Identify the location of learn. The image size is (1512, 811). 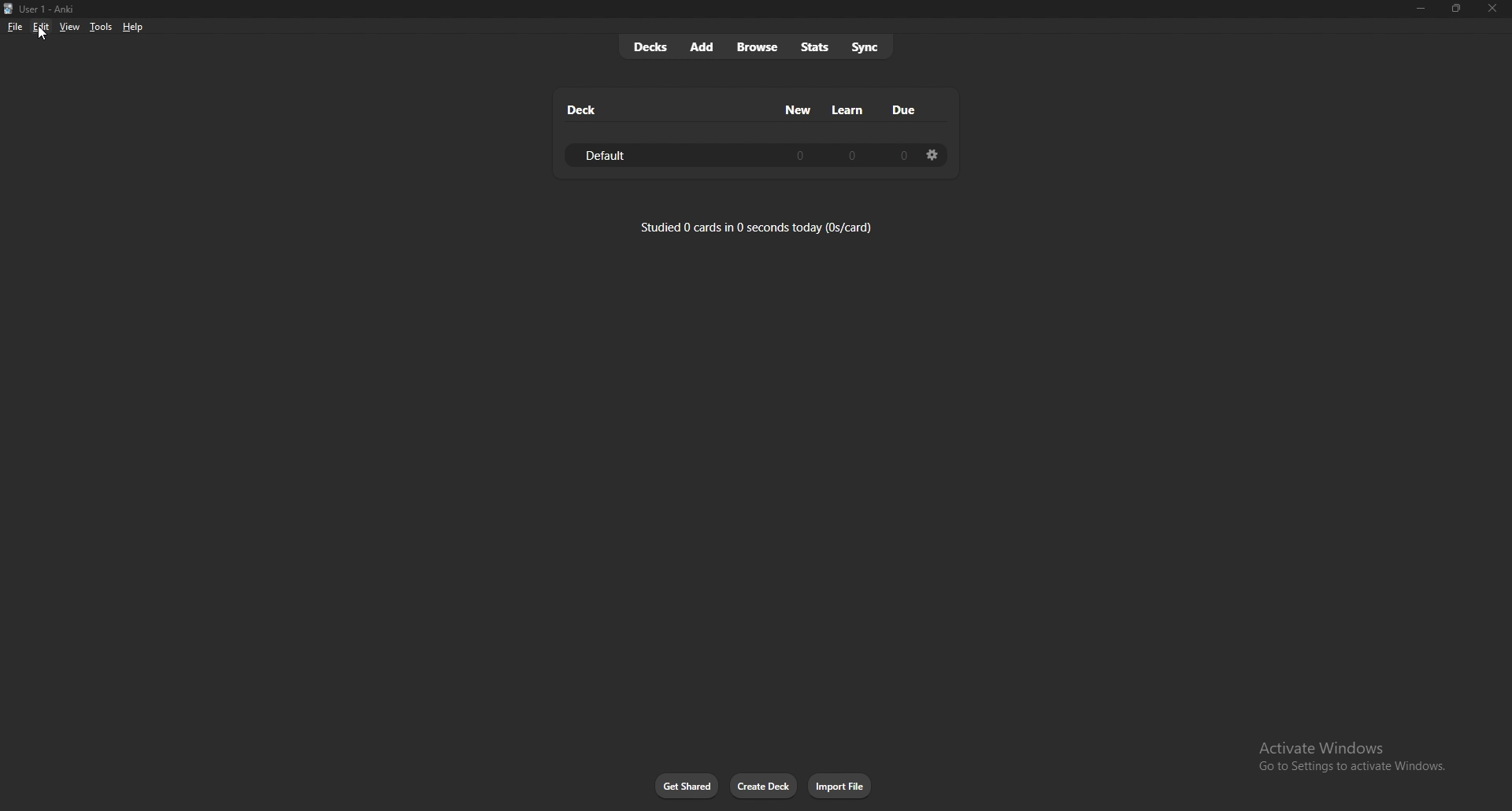
(850, 110).